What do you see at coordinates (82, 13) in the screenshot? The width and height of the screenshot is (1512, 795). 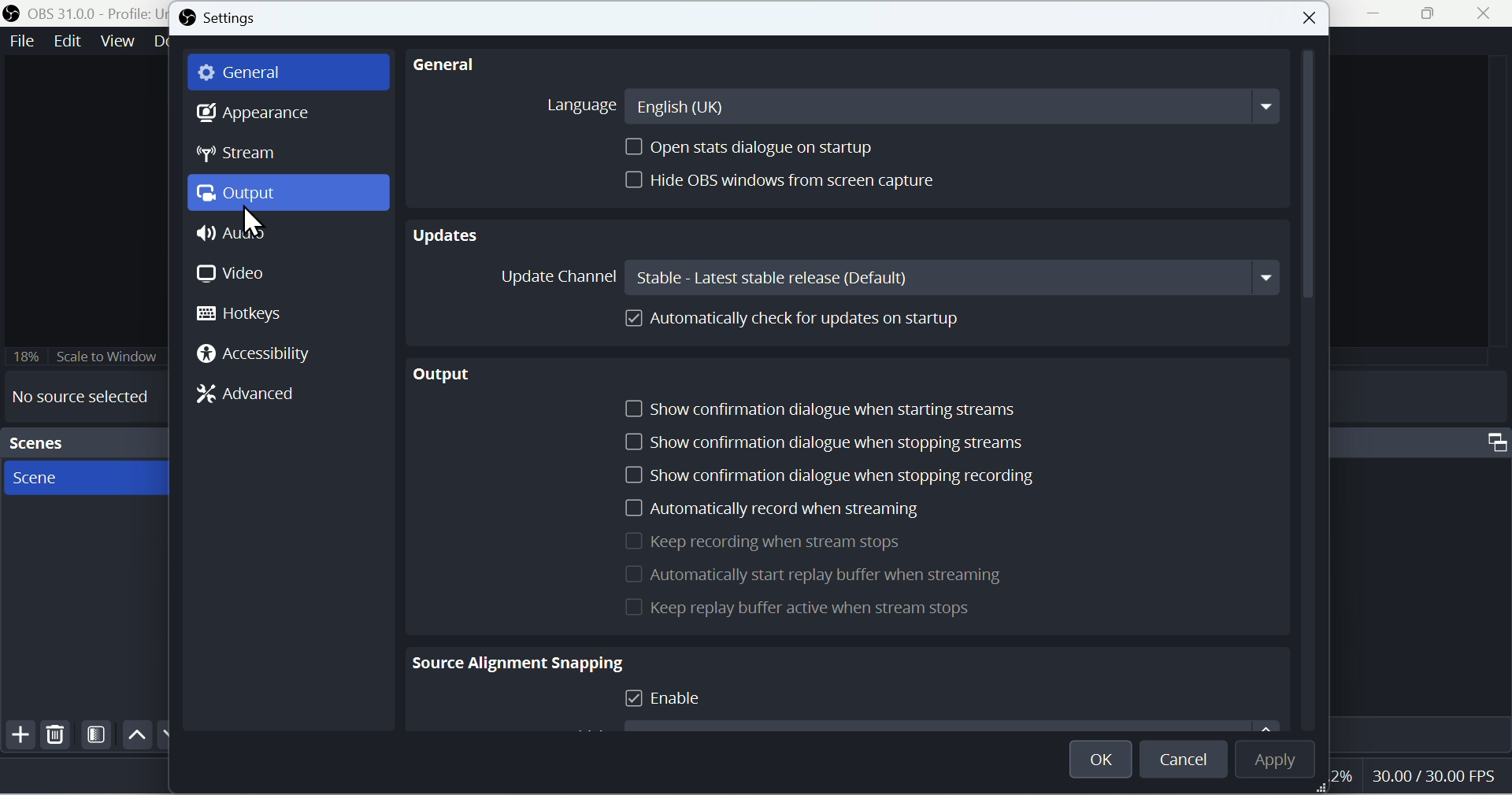 I see `OBS 31.0 .0` at bounding box center [82, 13].